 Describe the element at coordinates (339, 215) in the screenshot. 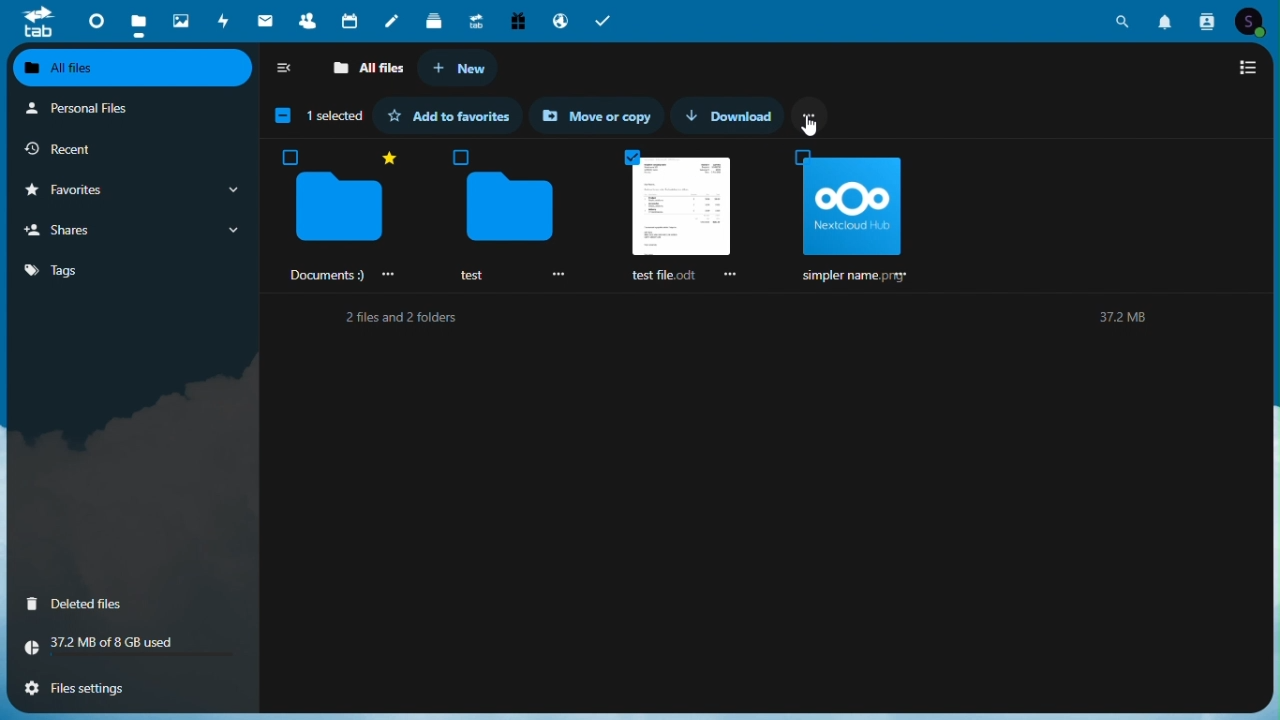

I see `‘Documents :)` at that location.